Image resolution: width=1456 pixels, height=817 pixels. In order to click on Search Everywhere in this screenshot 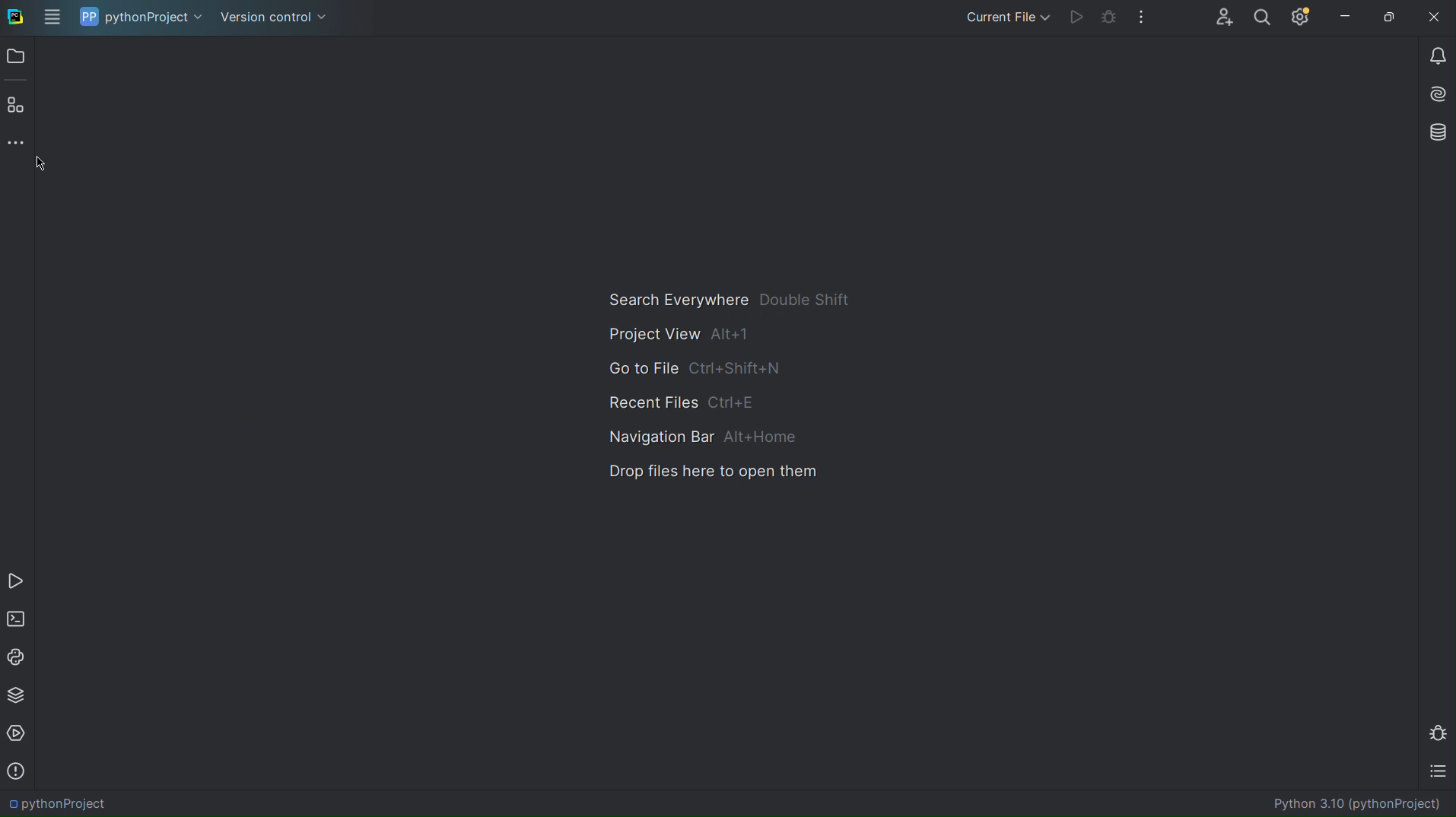, I will do `click(729, 299)`.